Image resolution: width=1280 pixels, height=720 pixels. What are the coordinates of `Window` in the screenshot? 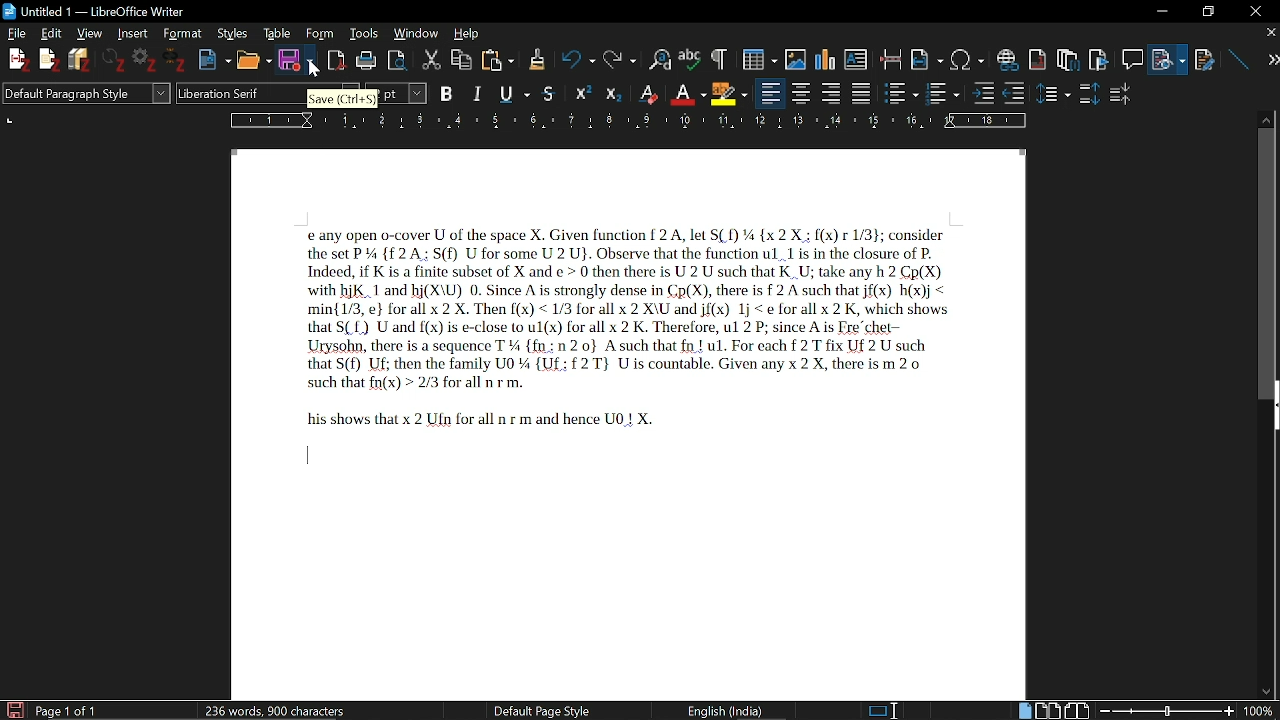 It's located at (416, 34).